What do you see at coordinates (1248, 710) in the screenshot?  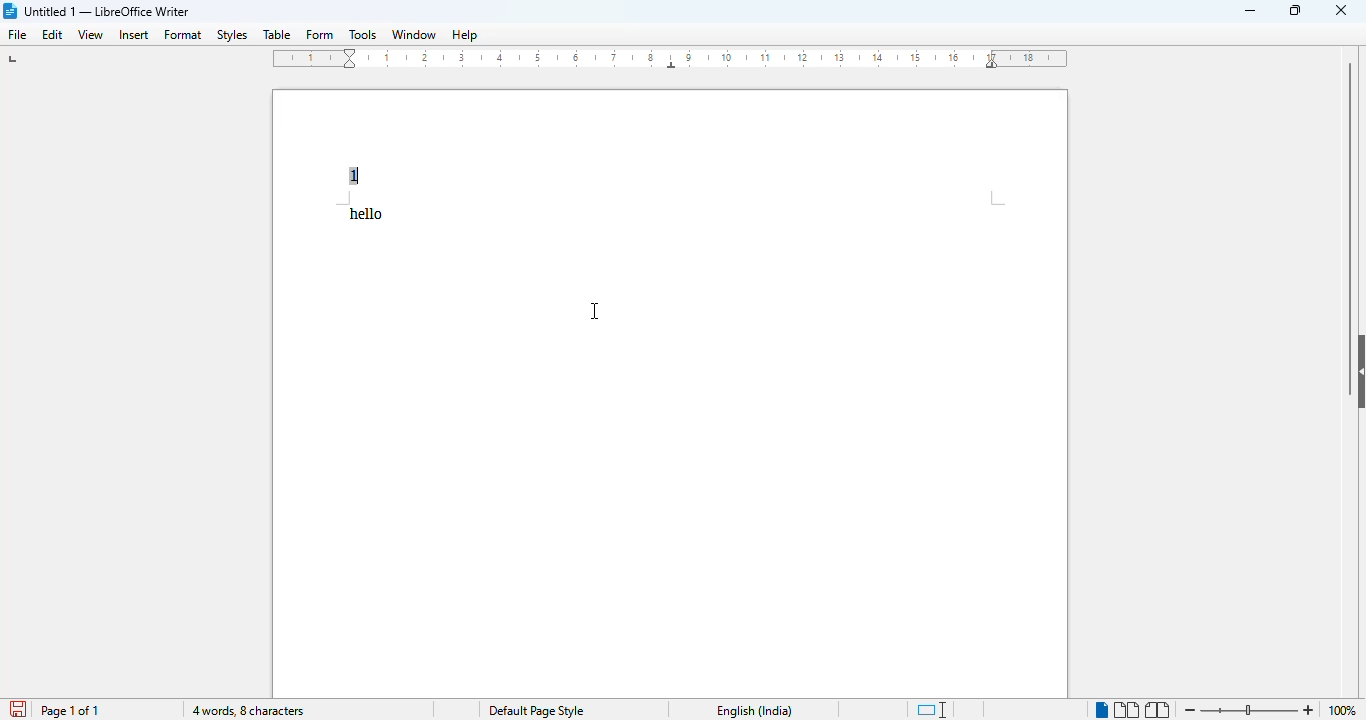 I see `zoom in or zoom out bar` at bounding box center [1248, 710].